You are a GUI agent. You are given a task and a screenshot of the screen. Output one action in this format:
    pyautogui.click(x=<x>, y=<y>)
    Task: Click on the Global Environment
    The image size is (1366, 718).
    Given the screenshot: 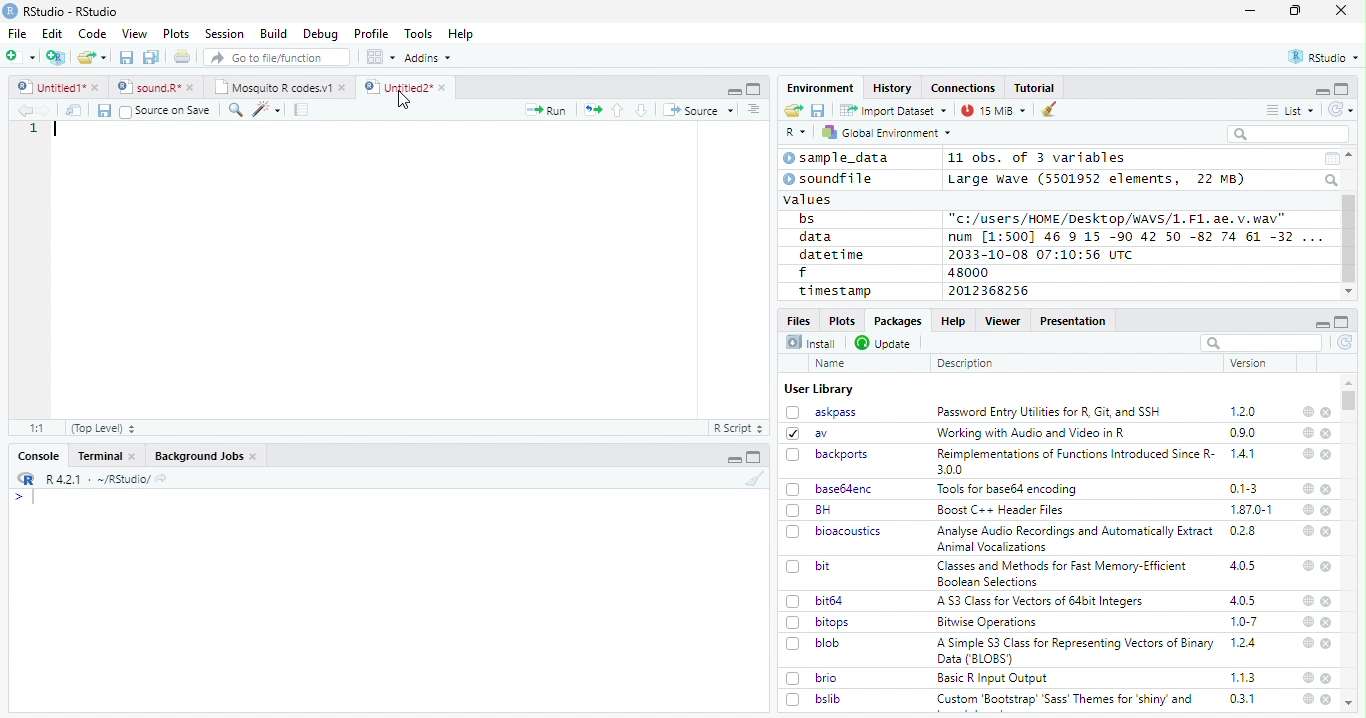 What is the action you would take?
    pyautogui.click(x=888, y=131)
    